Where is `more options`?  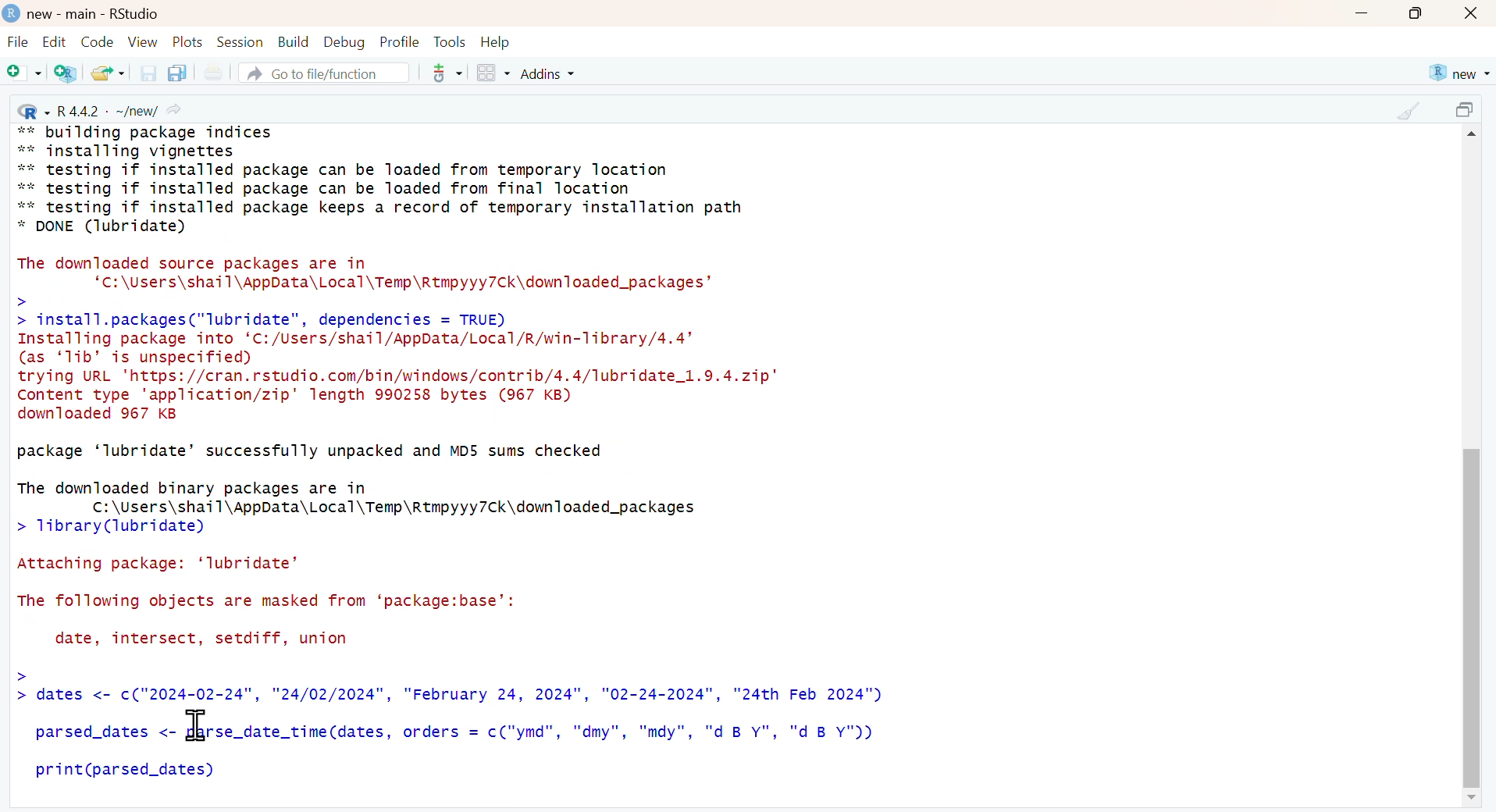
more options is located at coordinates (442, 73).